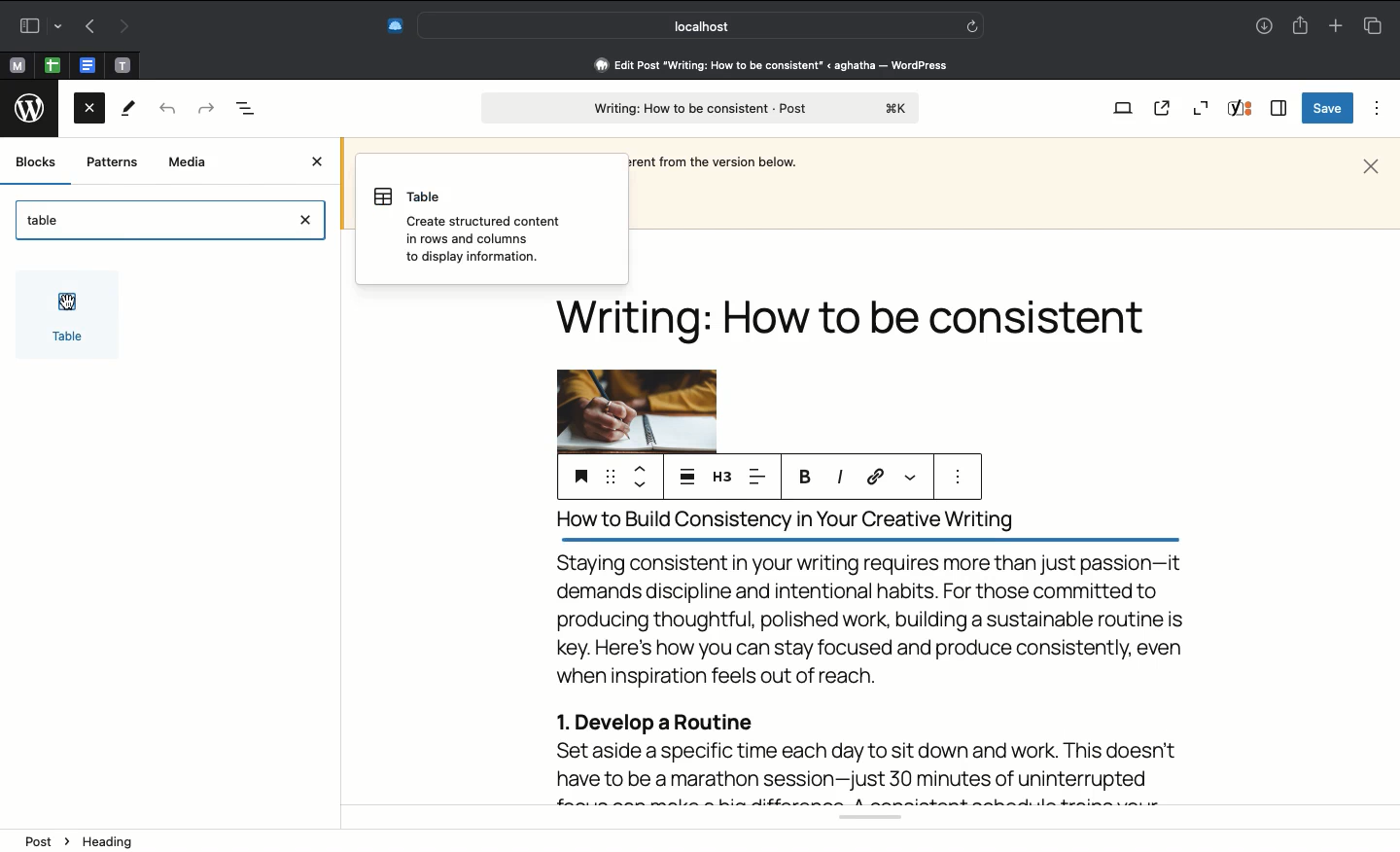  What do you see at coordinates (320, 162) in the screenshot?
I see `Close` at bounding box center [320, 162].